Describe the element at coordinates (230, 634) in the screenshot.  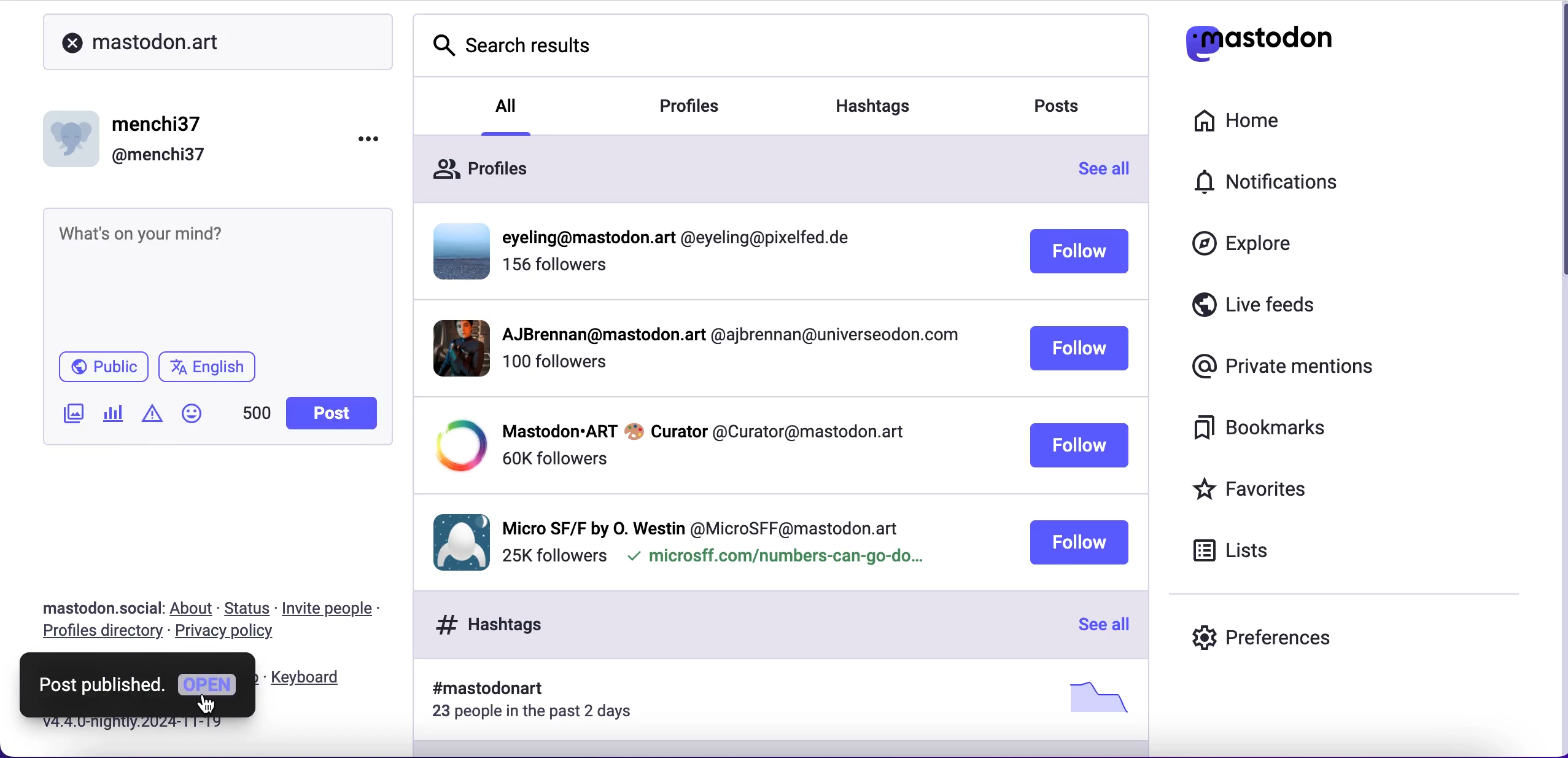
I see `privacy policy` at that location.